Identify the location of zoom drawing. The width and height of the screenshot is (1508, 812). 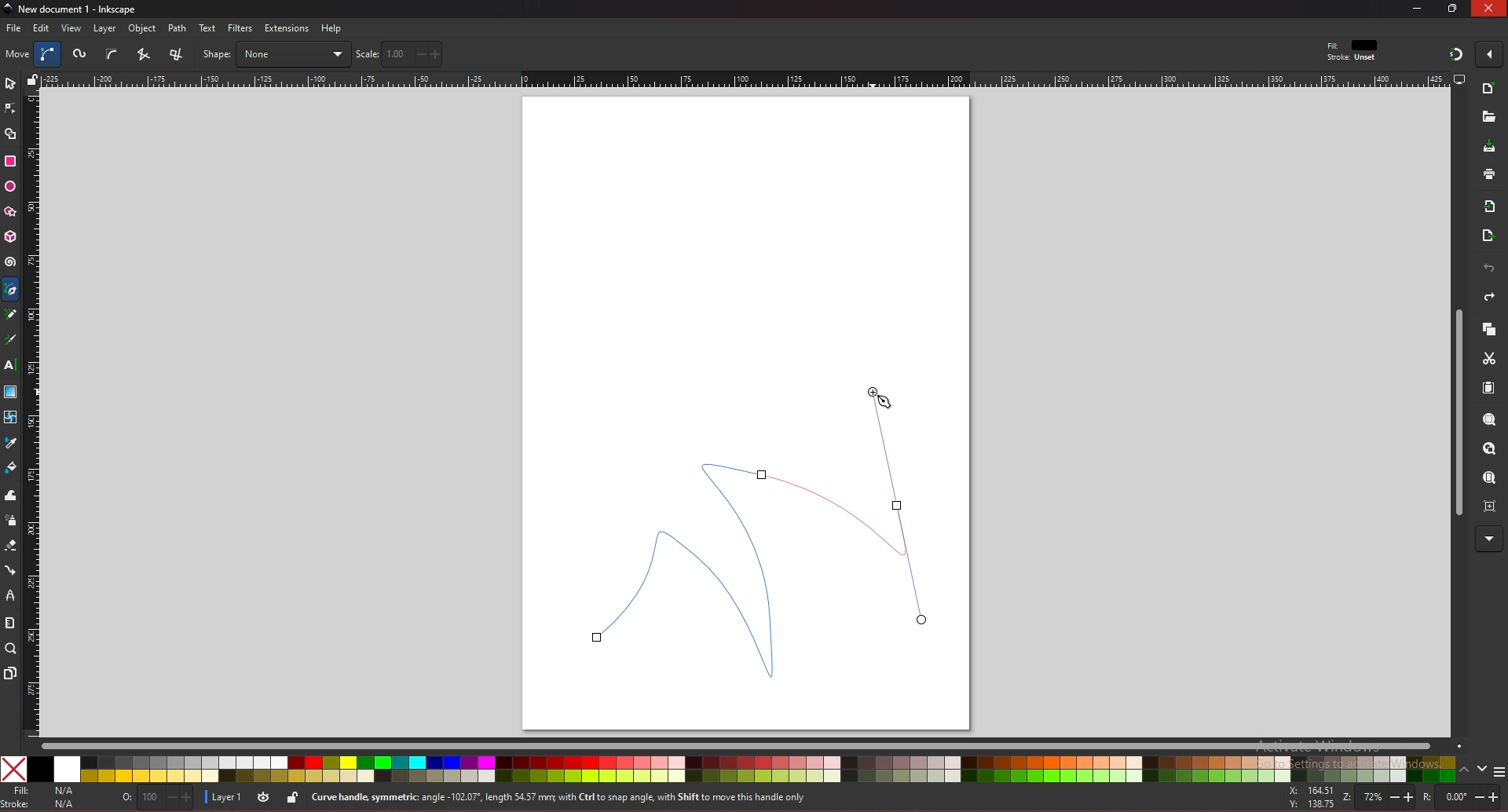
(1488, 449).